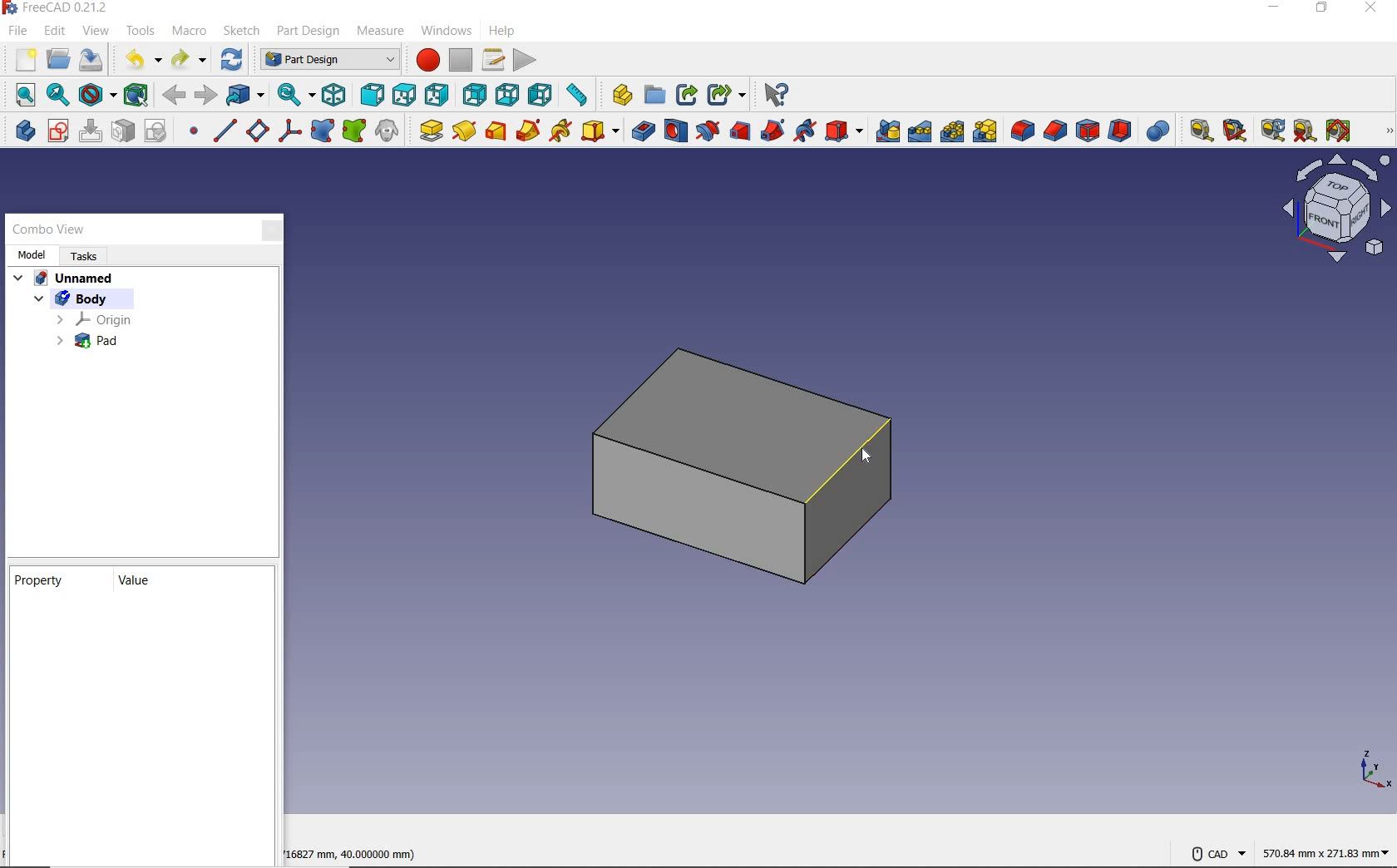 Image resolution: width=1397 pixels, height=868 pixels. I want to click on clear all, so click(1306, 131).